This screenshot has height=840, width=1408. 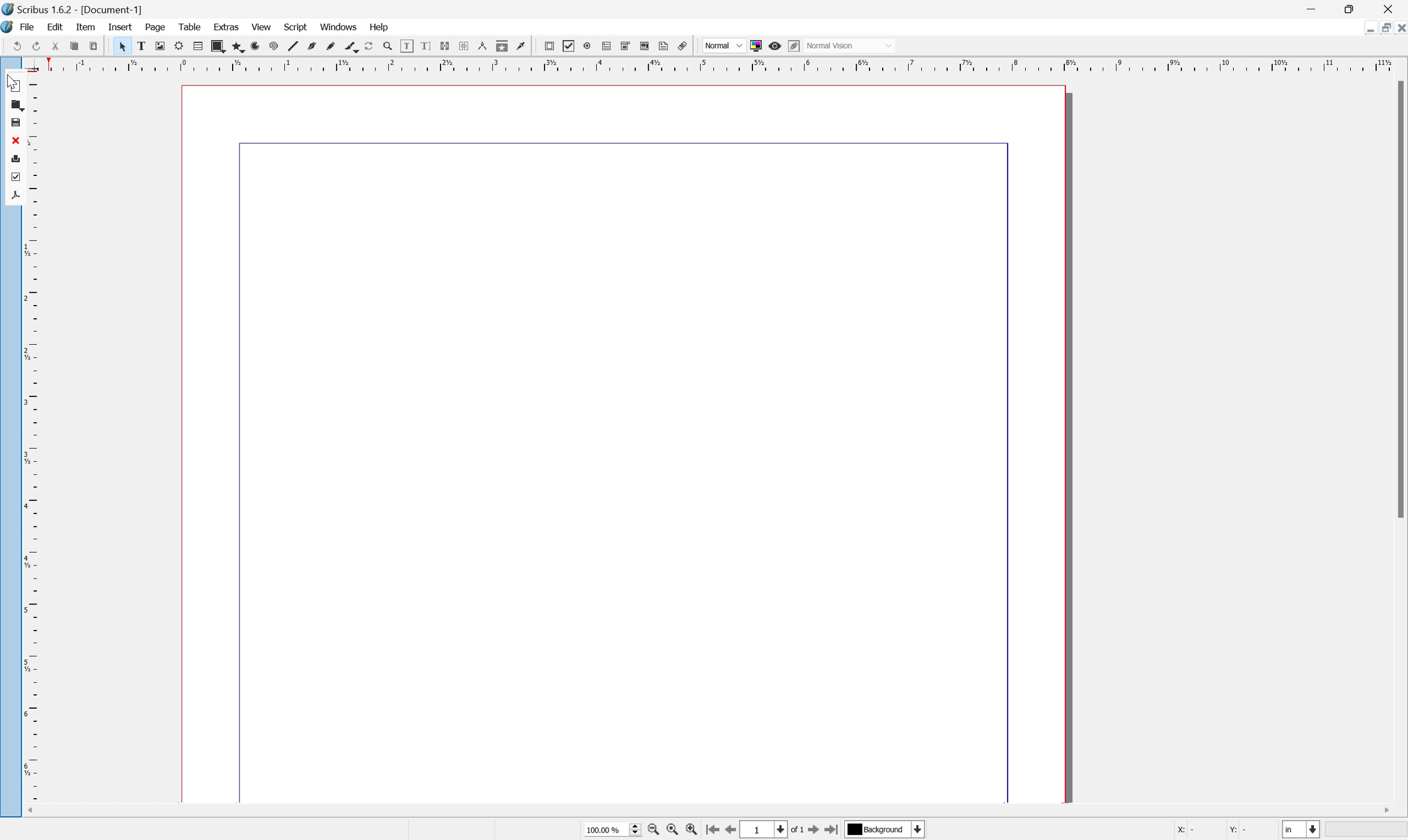 I want to click on save as pdf, so click(x=145, y=46).